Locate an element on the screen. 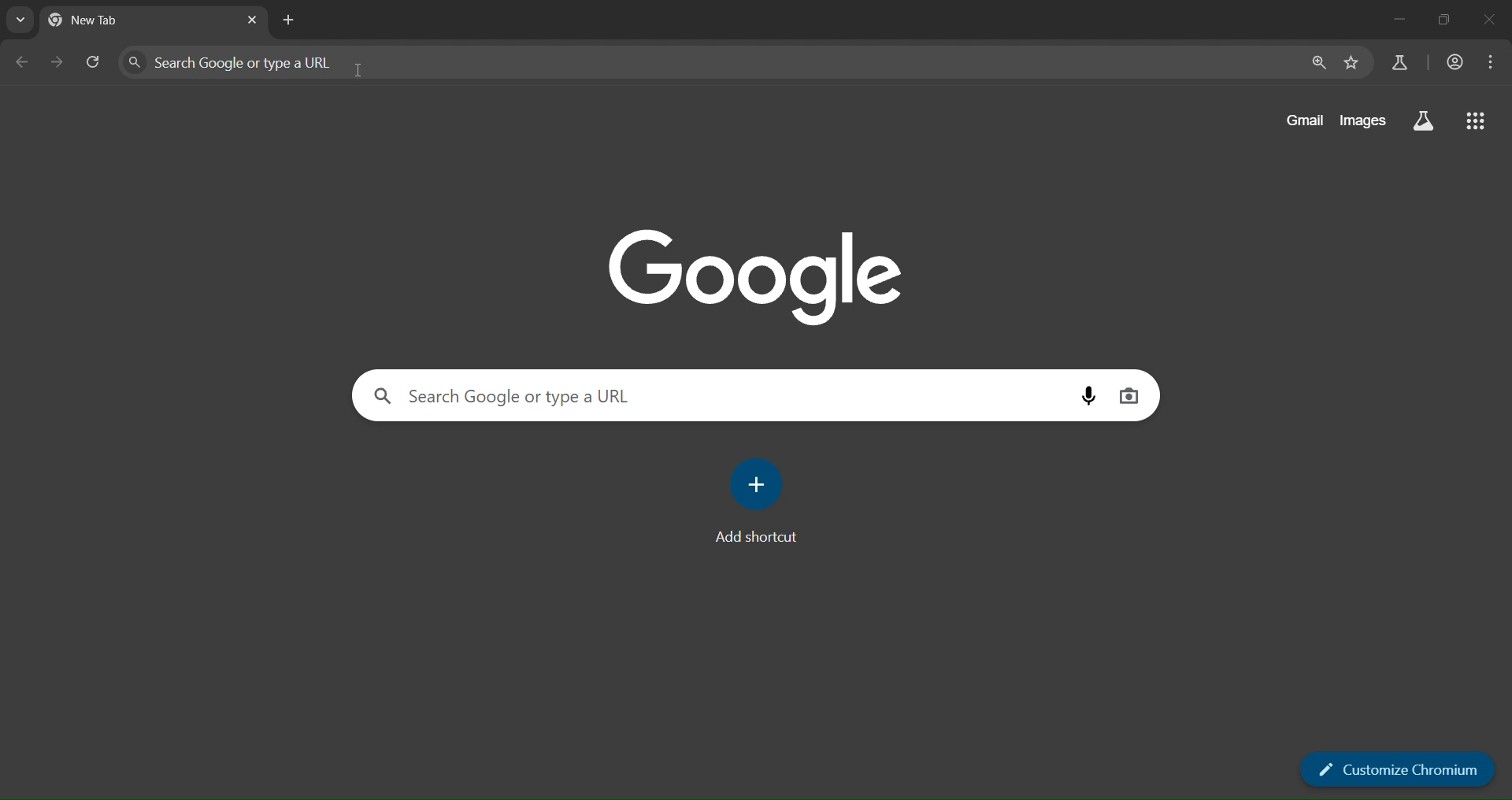  bookmark page is located at coordinates (1352, 63).